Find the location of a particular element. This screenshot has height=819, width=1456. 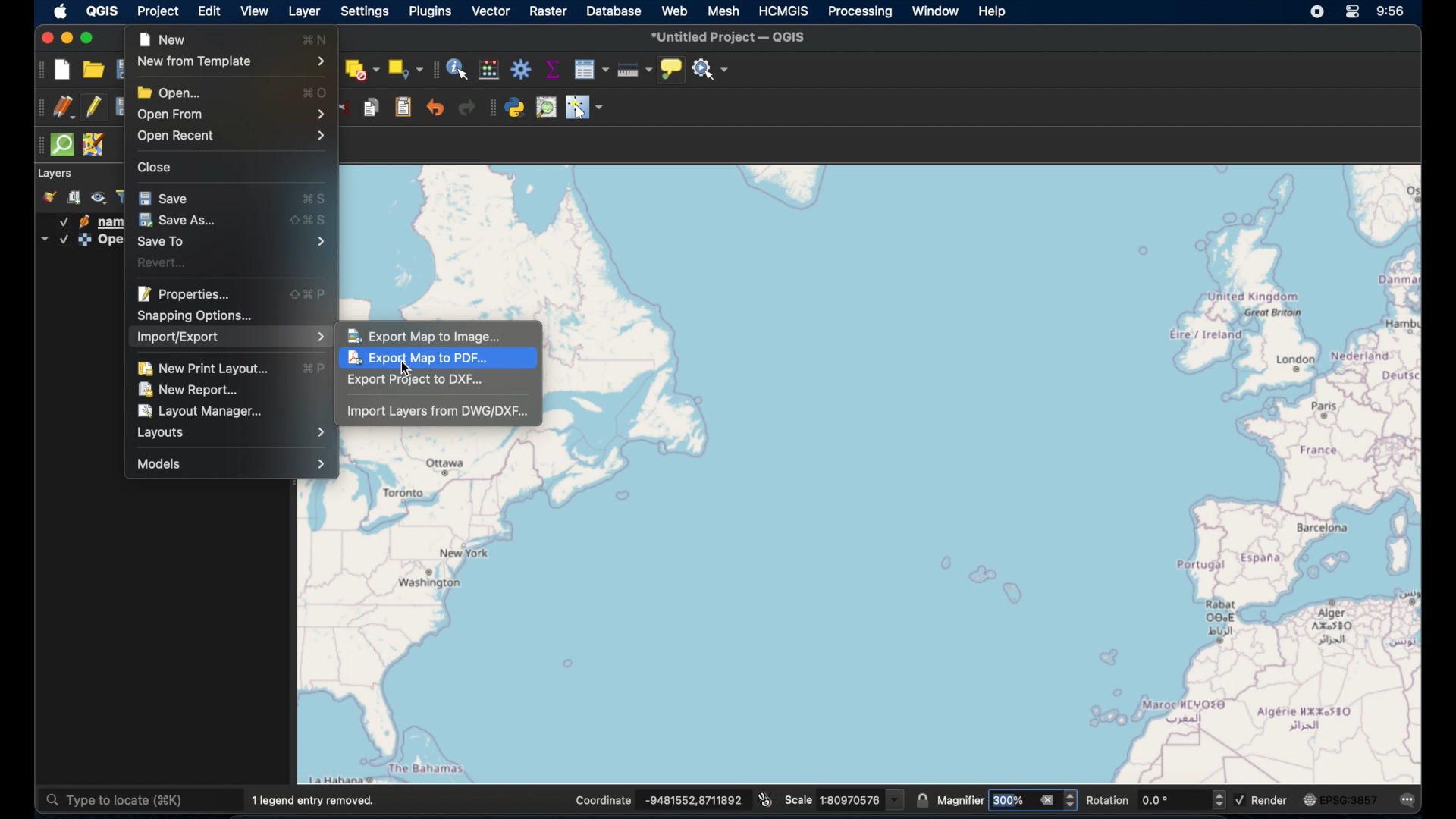

save as is located at coordinates (178, 219).